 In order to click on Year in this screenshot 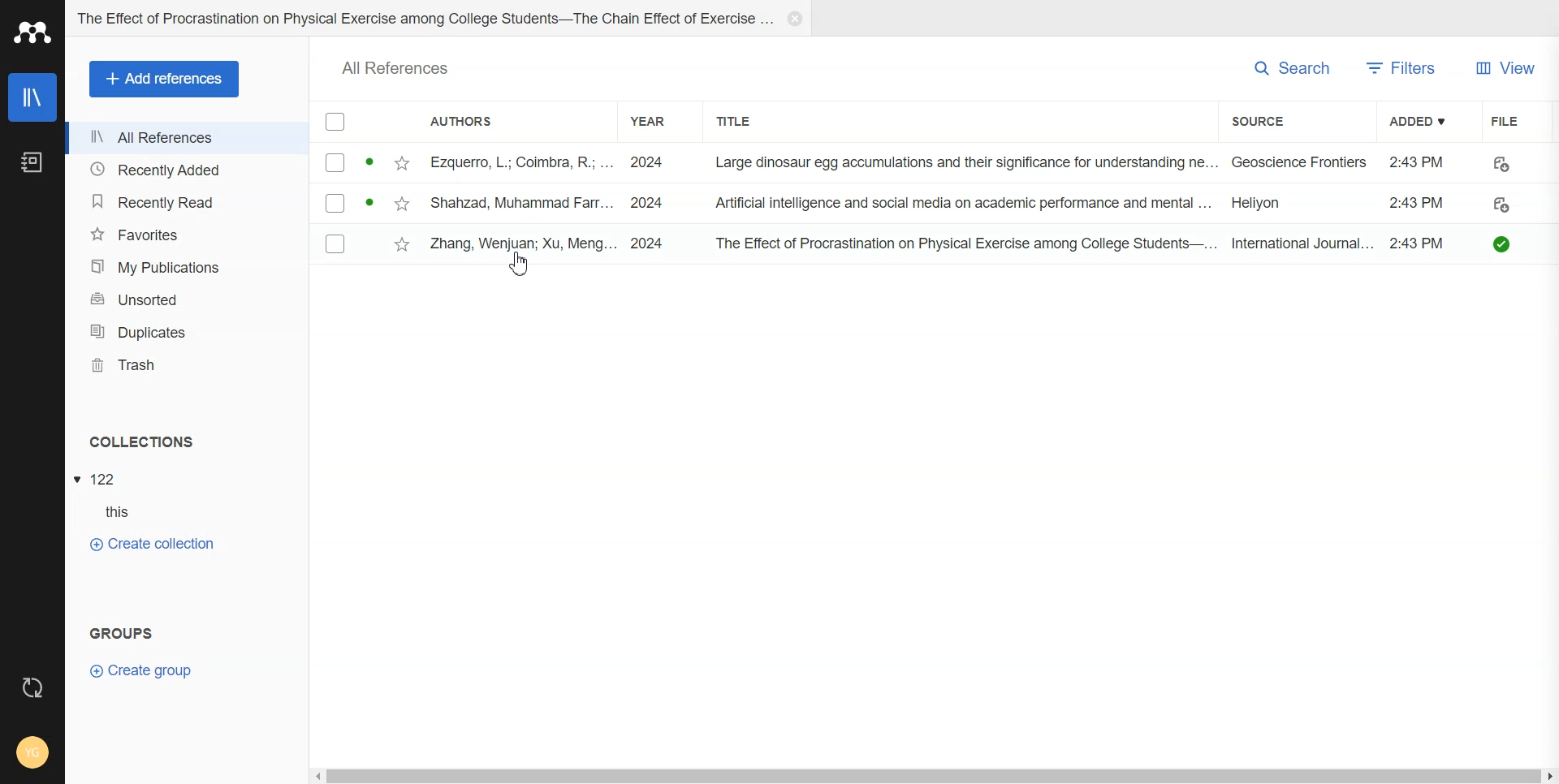, I will do `click(658, 121)`.